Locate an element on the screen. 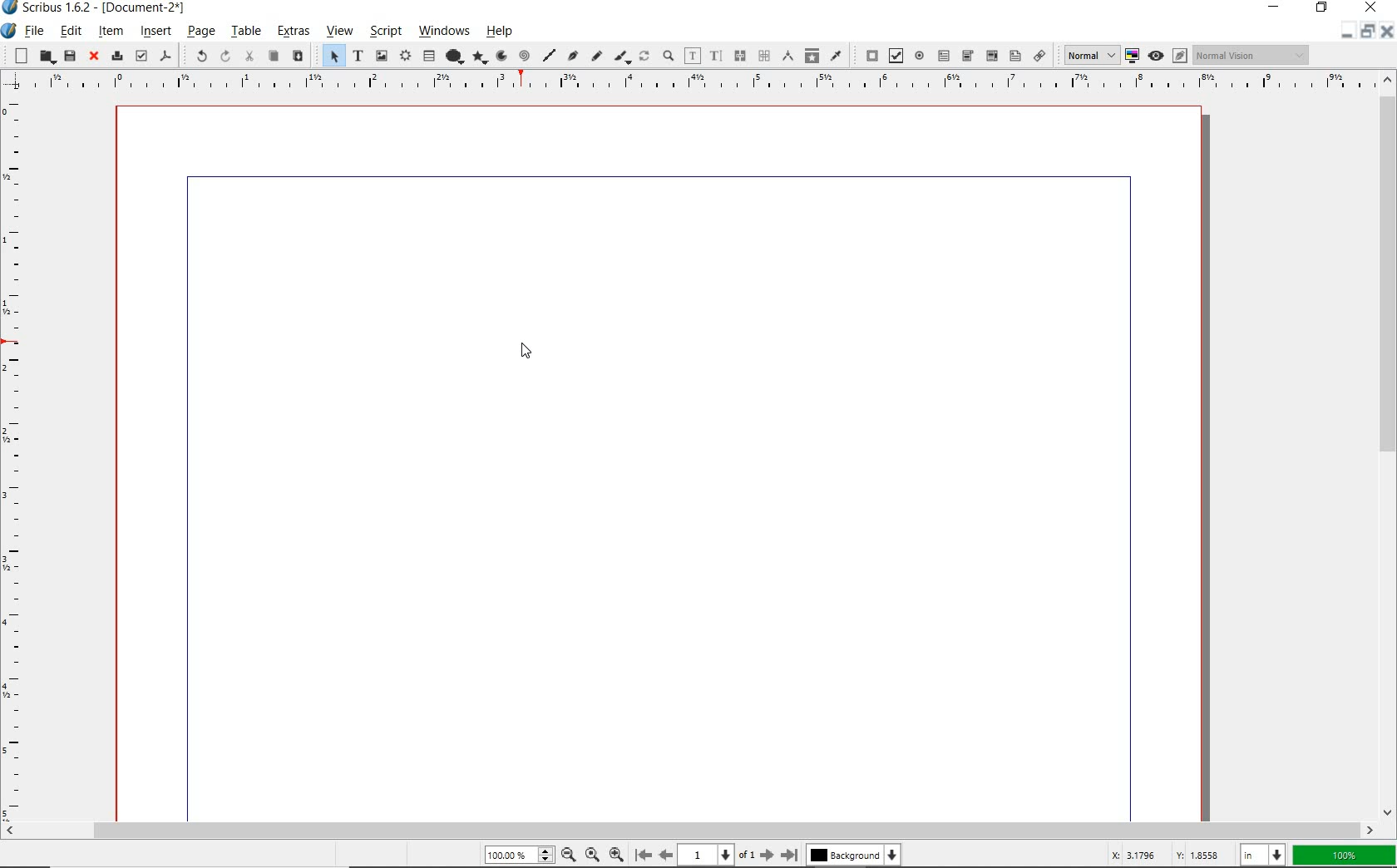 This screenshot has height=868, width=1397. render frame is located at coordinates (405, 54).